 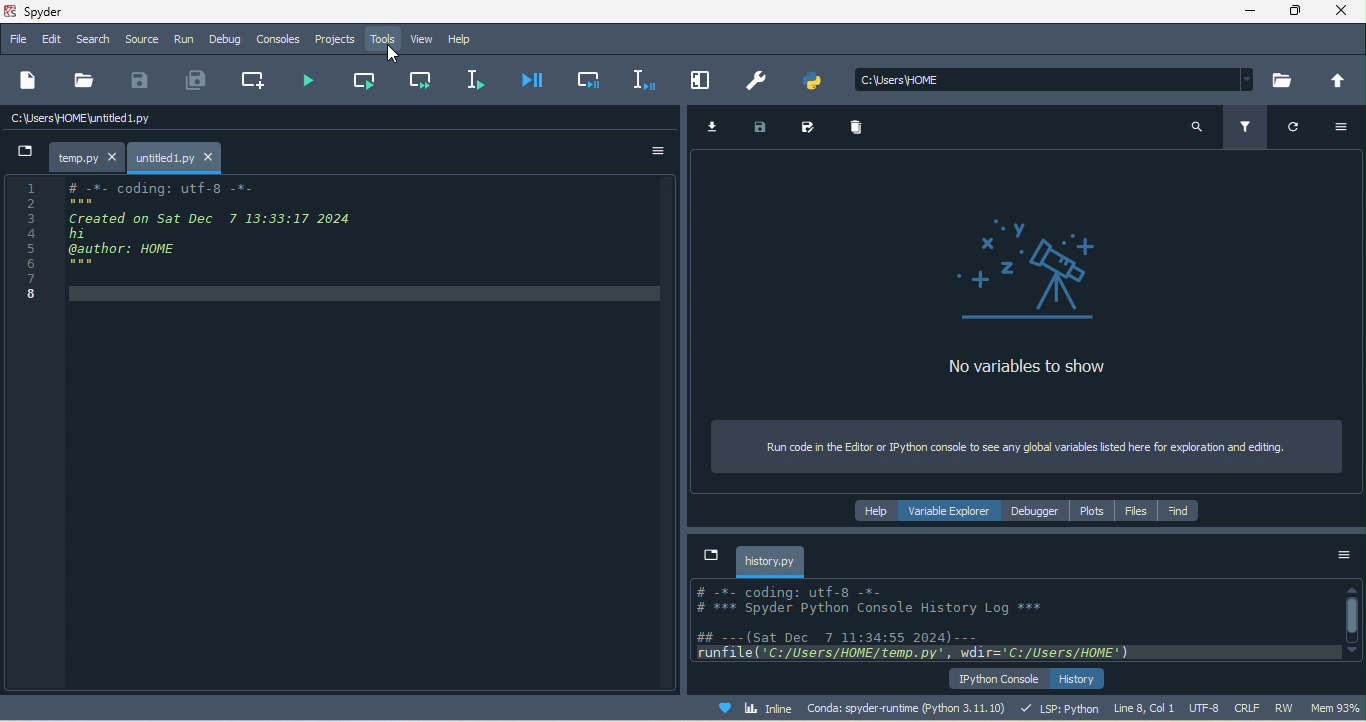 What do you see at coordinates (1092, 512) in the screenshot?
I see `plots` at bounding box center [1092, 512].